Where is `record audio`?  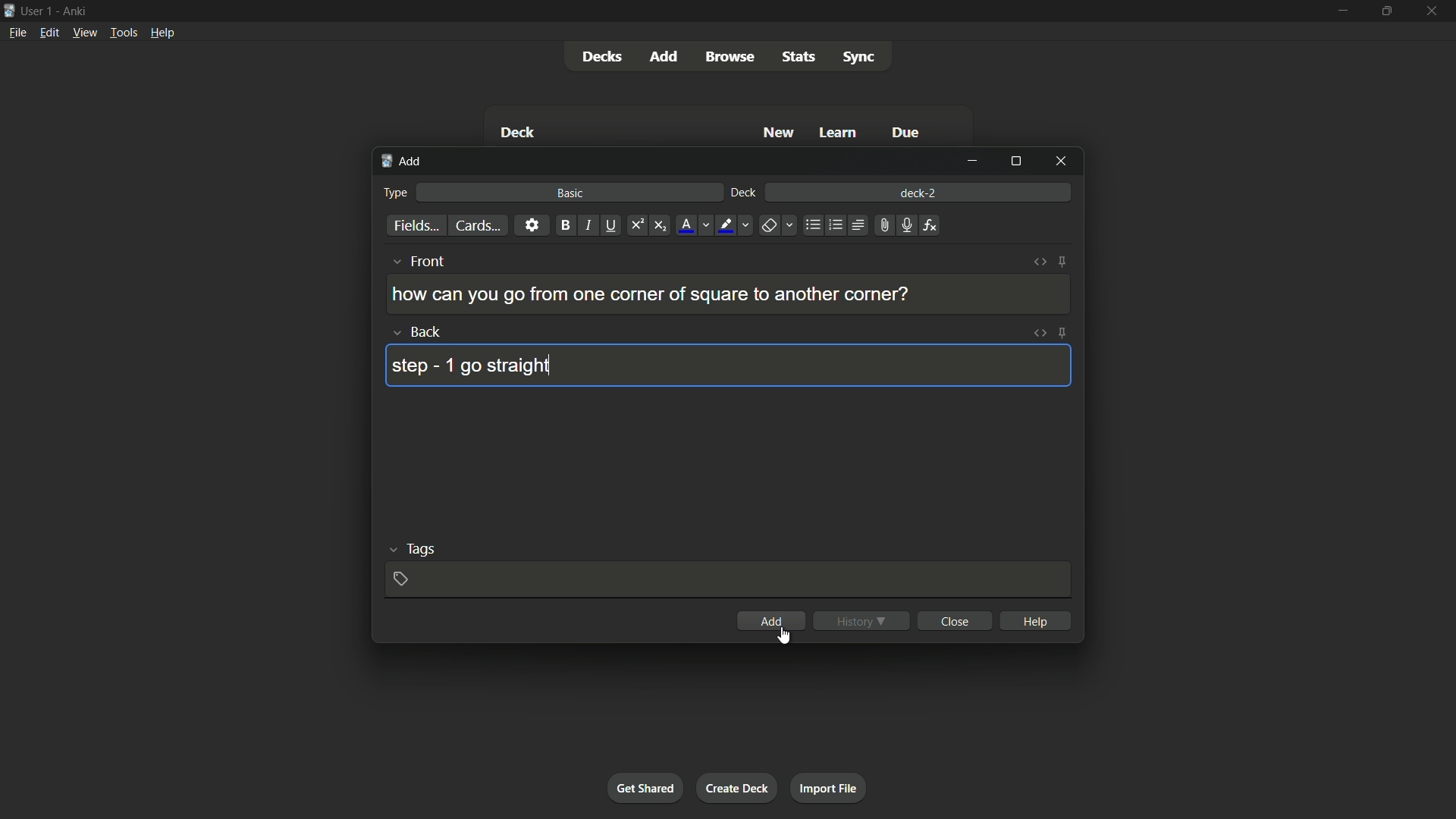
record audio is located at coordinates (905, 225).